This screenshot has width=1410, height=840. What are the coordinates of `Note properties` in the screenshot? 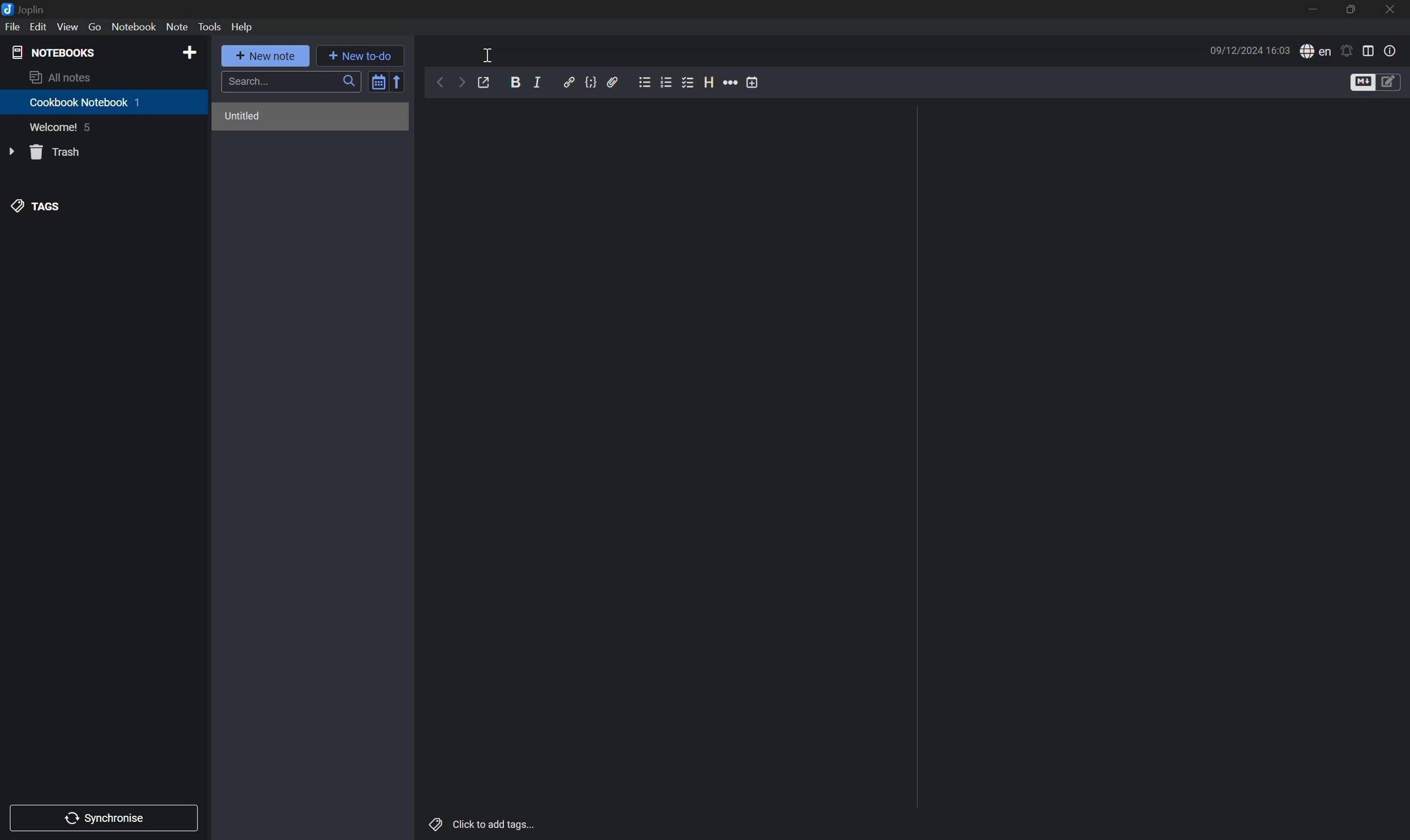 It's located at (1392, 50).